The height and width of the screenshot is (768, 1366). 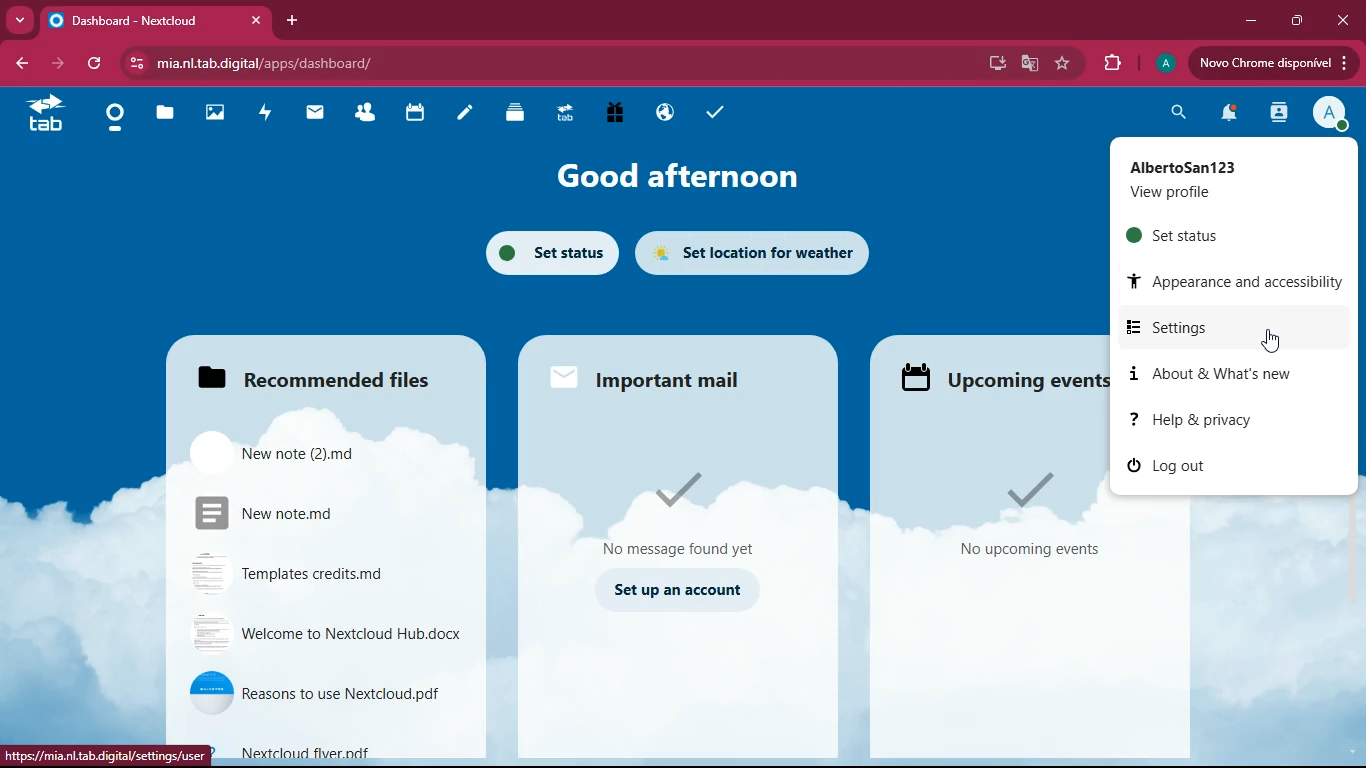 I want to click on forward, so click(x=55, y=64).